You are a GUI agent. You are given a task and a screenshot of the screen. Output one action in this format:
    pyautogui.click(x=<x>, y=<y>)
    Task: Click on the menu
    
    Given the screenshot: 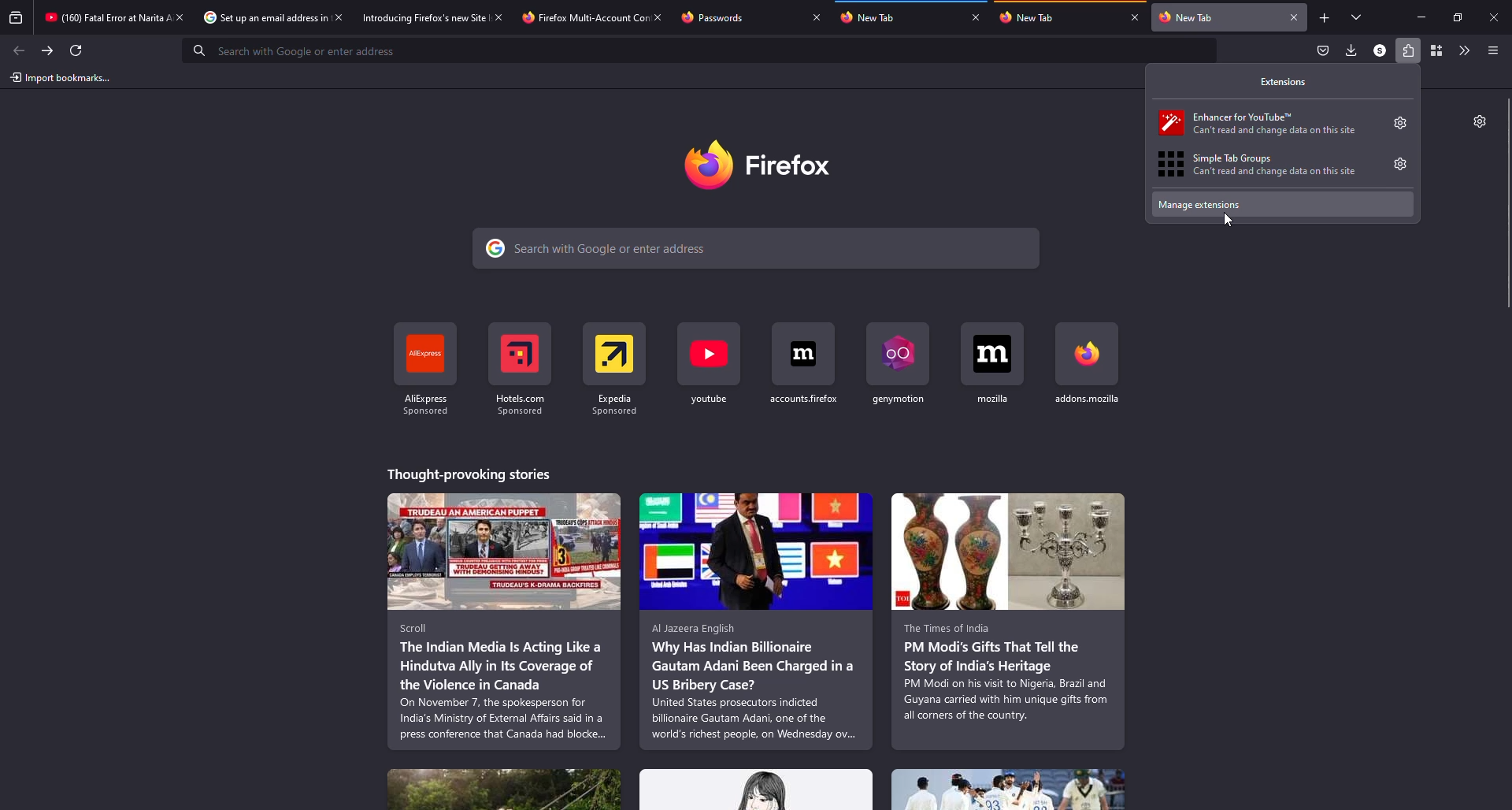 What is the action you would take?
    pyautogui.click(x=1492, y=51)
    